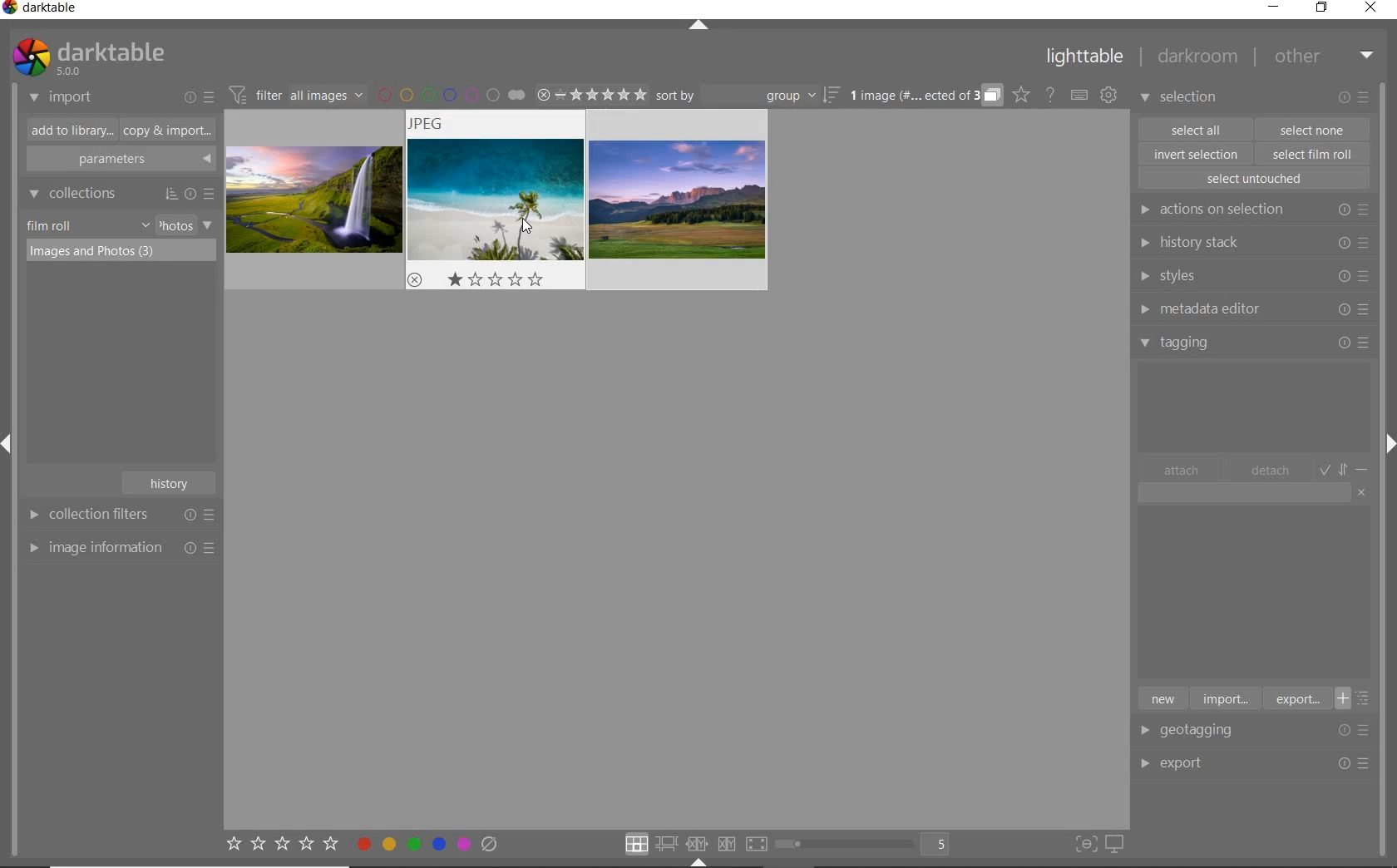  Describe the element at coordinates (1114, 845) in the screenshot. I see `set display profile` at that location.